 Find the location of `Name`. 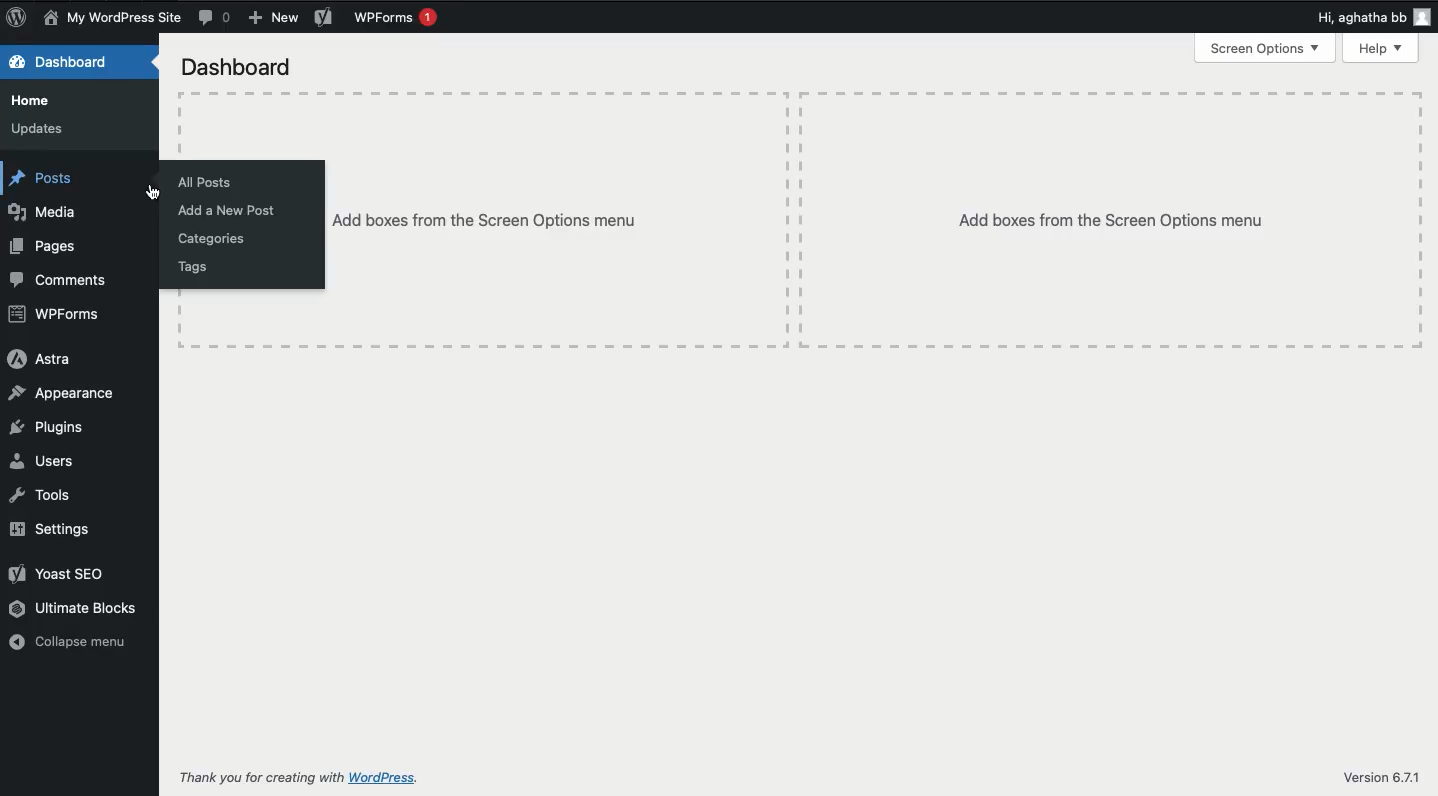

Name is located at coordinates (112, 19).